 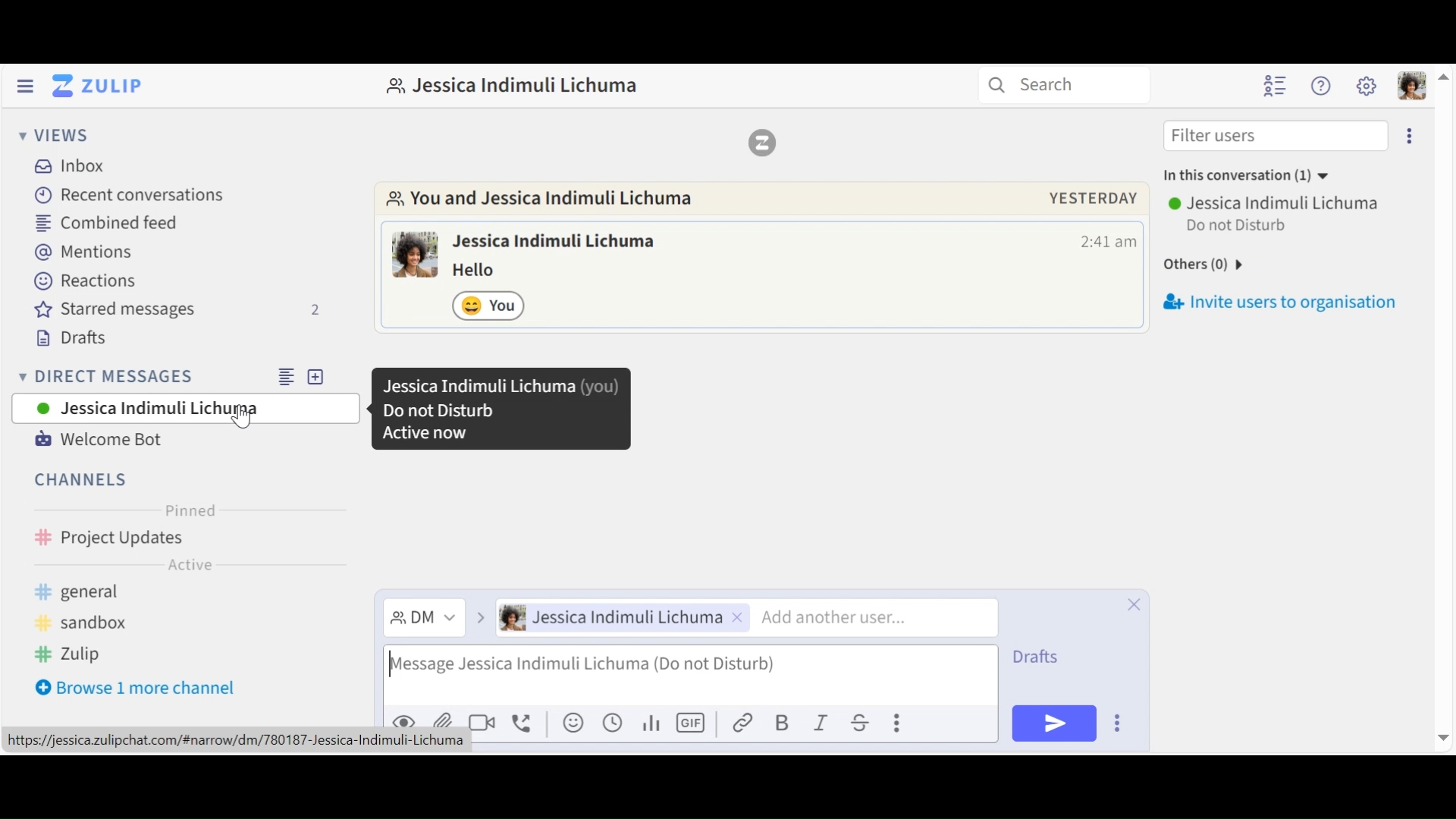 What do you see at coordinates (1276, 202) in the screenshot?
I see `Username` at bounding box center [1276, 202].